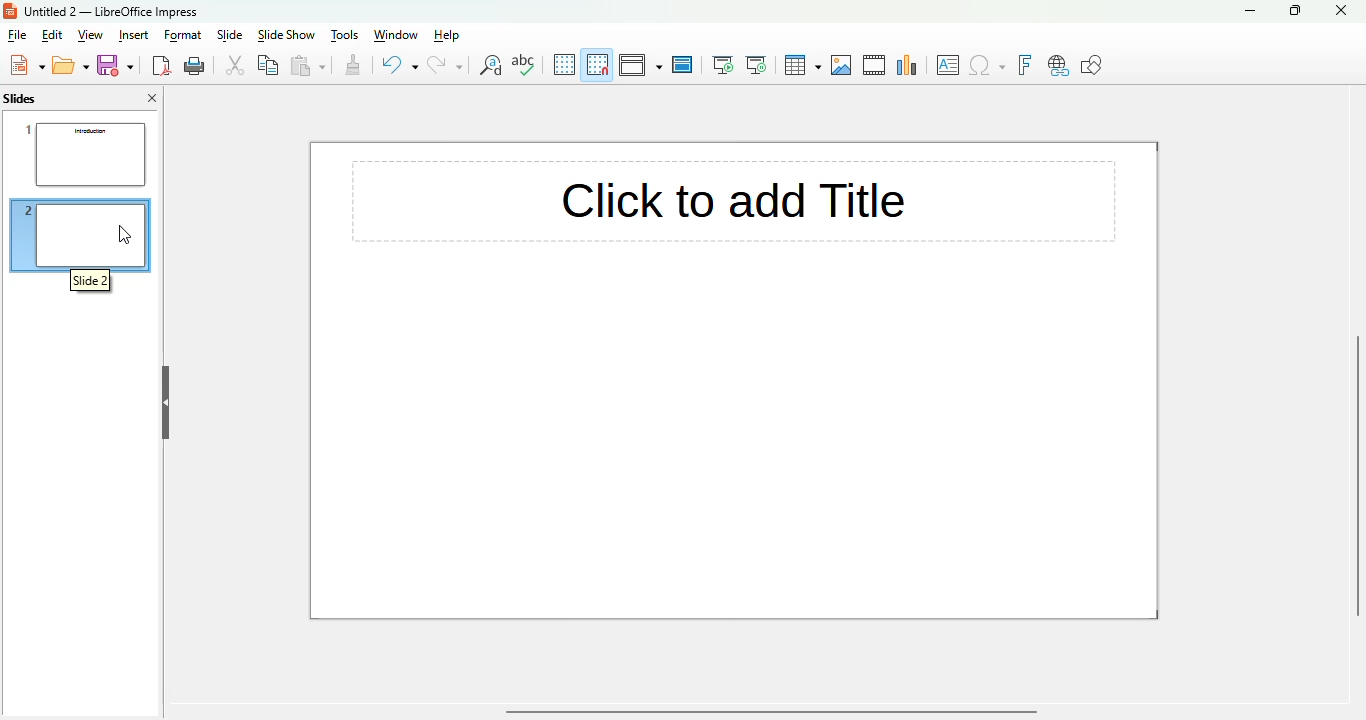 This screenshot has width=1366, height=720. Describe the element at coordinates (79, 236) in the screenshot. I see `new slide` at that location.